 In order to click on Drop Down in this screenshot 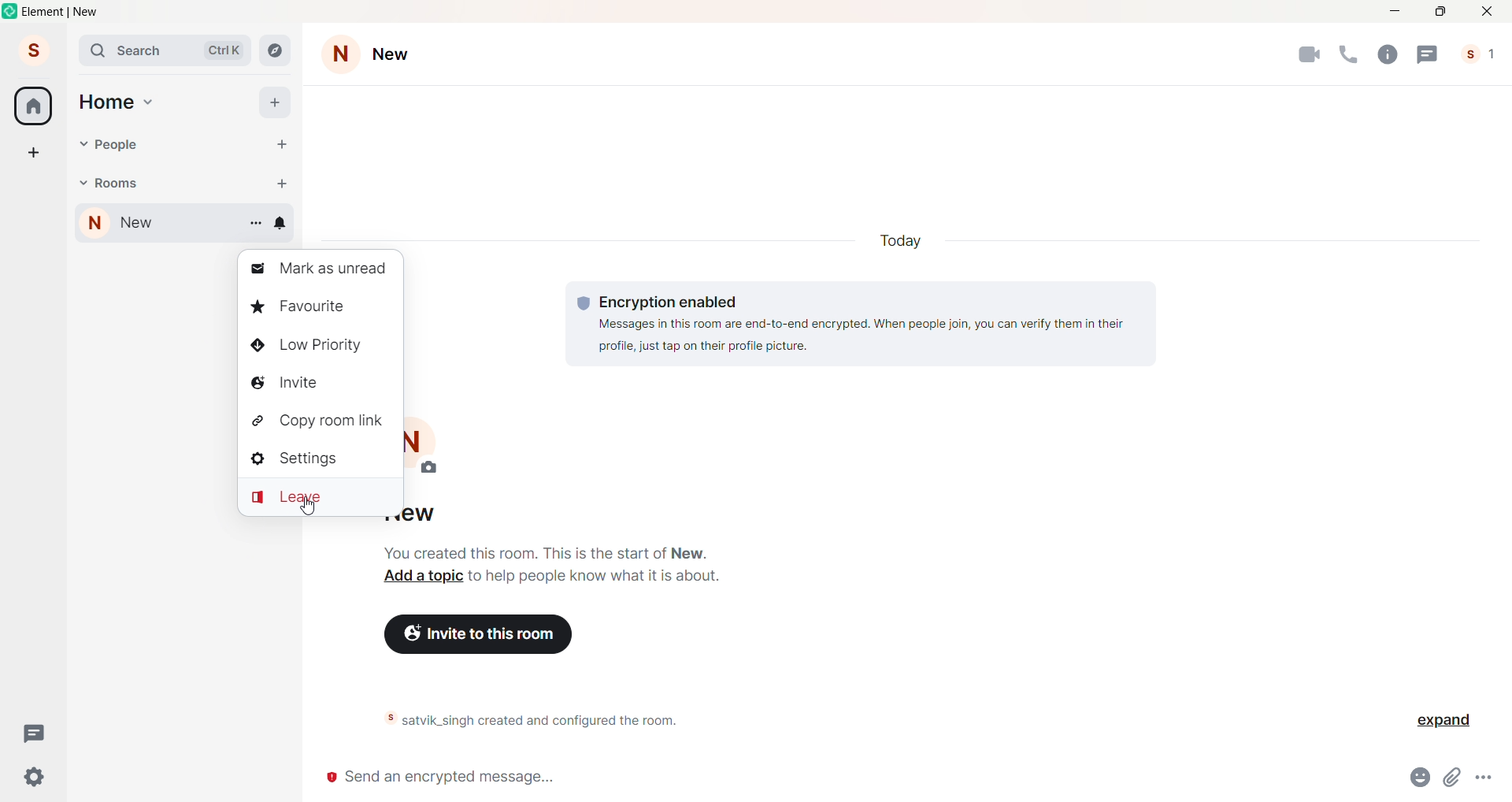, I will do `click(258, 227)`.